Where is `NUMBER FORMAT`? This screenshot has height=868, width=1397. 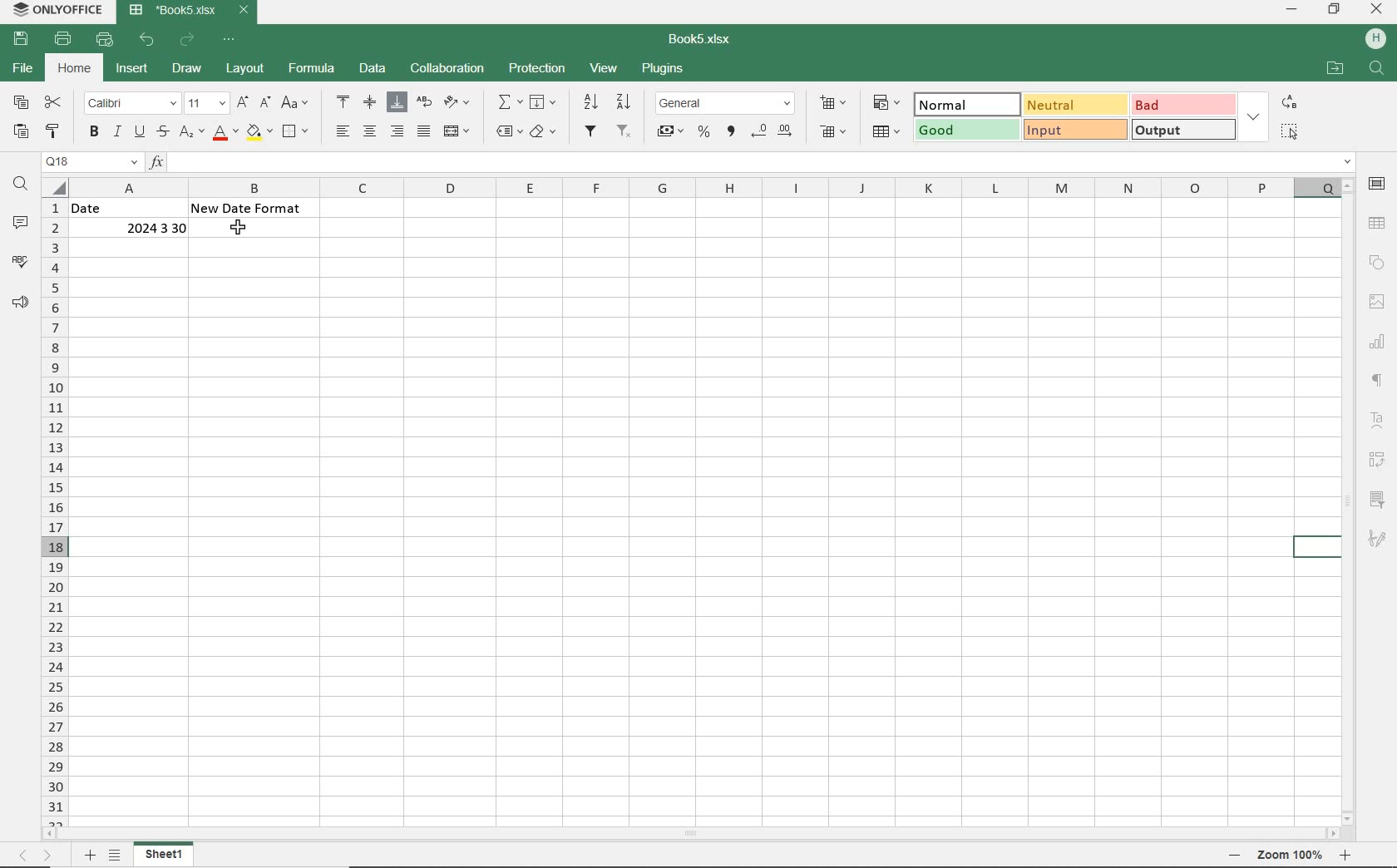 NUMBER FORMAT is located at coordinates (727, 103).